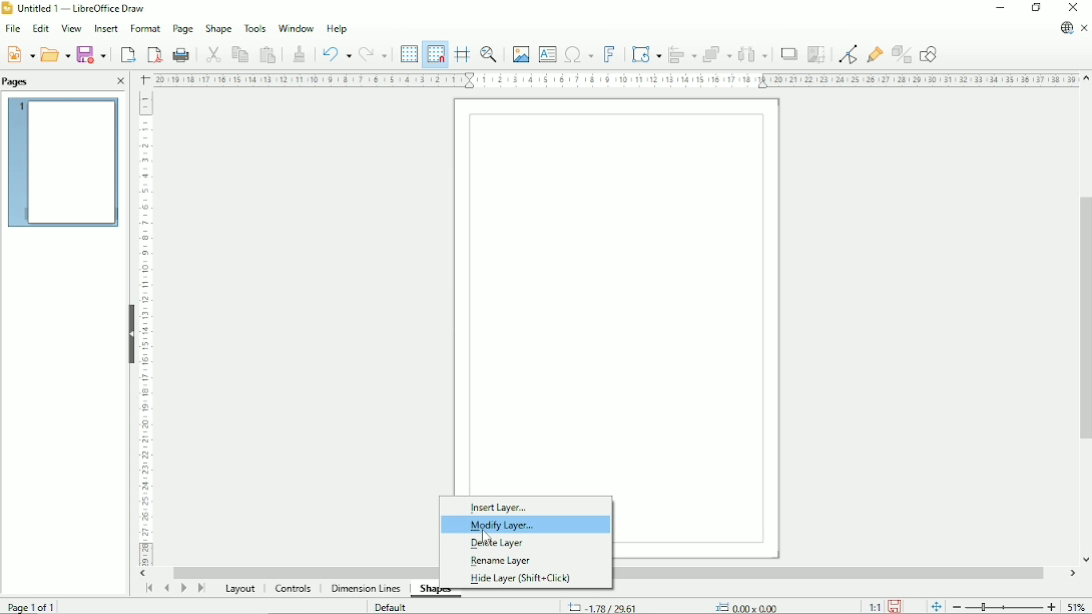 This screenshot has width=1092, height=614. Describe the element at coordinates (335, 52) in the screenshot. I see `Undo` at that location.